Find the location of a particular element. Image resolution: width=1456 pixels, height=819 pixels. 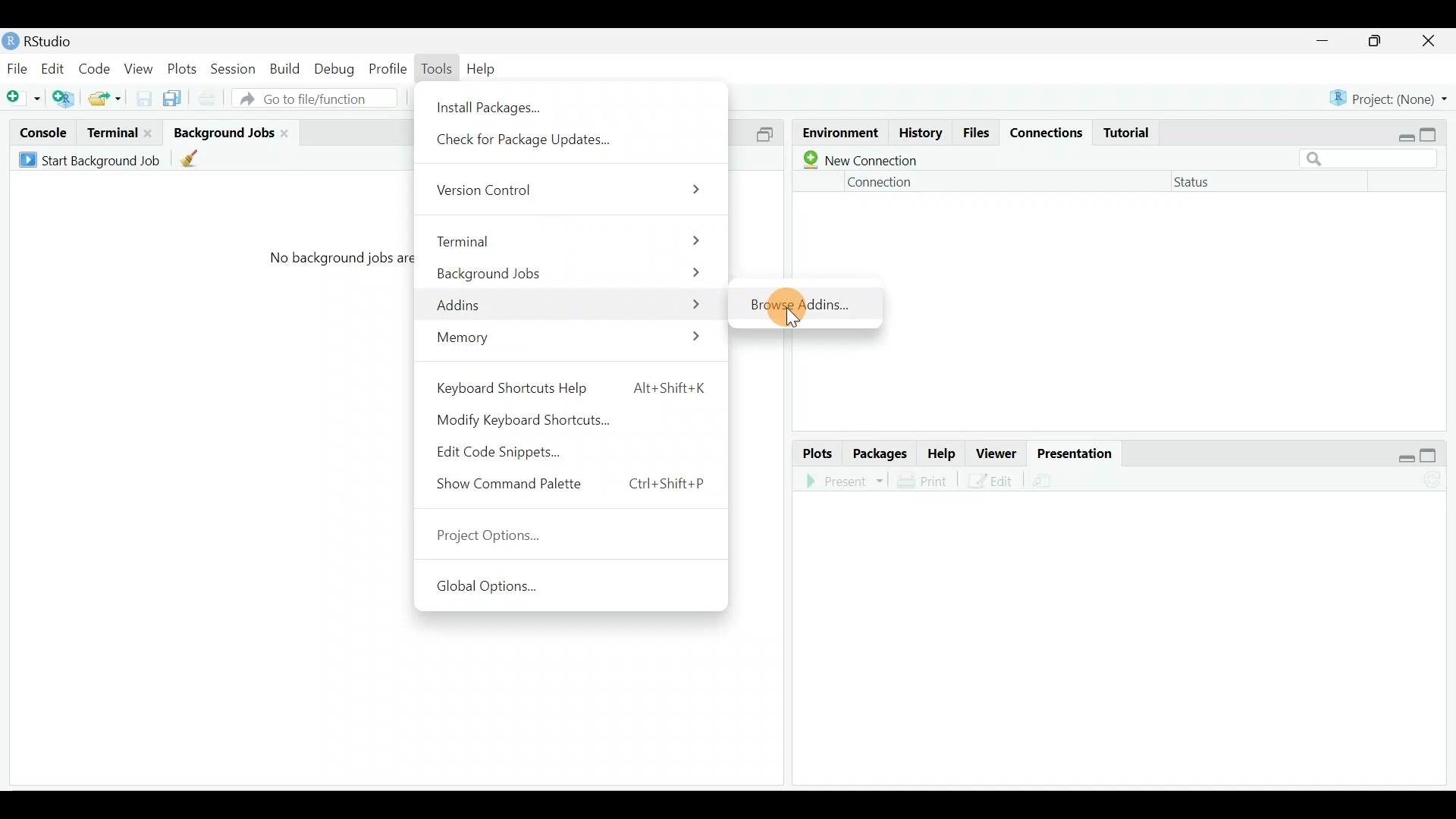

Print is located at coordinates (932, 482).